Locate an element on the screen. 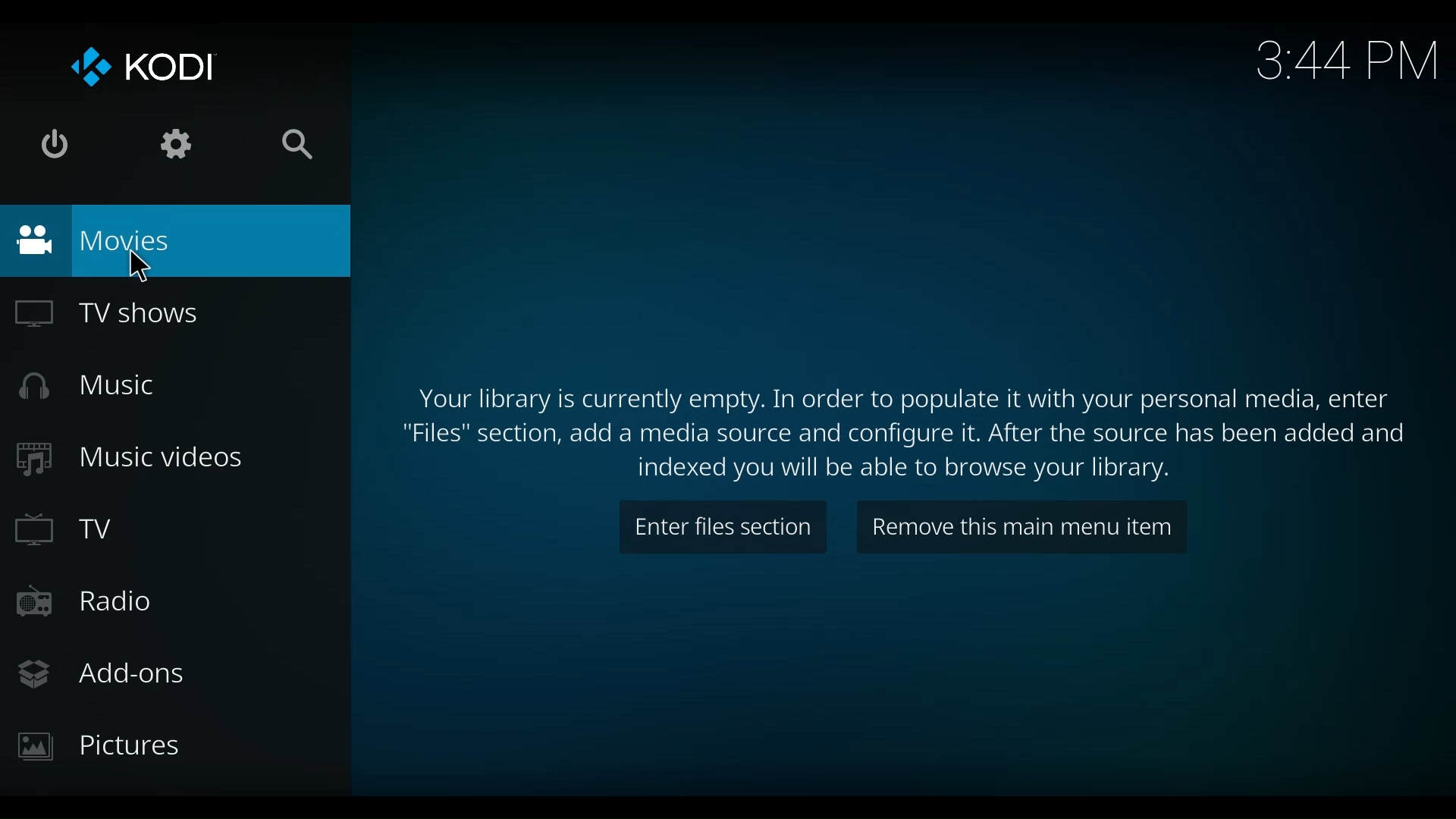 This screenshot has height=819, width=1456. Music Videos is located at coordinates (138, 458).